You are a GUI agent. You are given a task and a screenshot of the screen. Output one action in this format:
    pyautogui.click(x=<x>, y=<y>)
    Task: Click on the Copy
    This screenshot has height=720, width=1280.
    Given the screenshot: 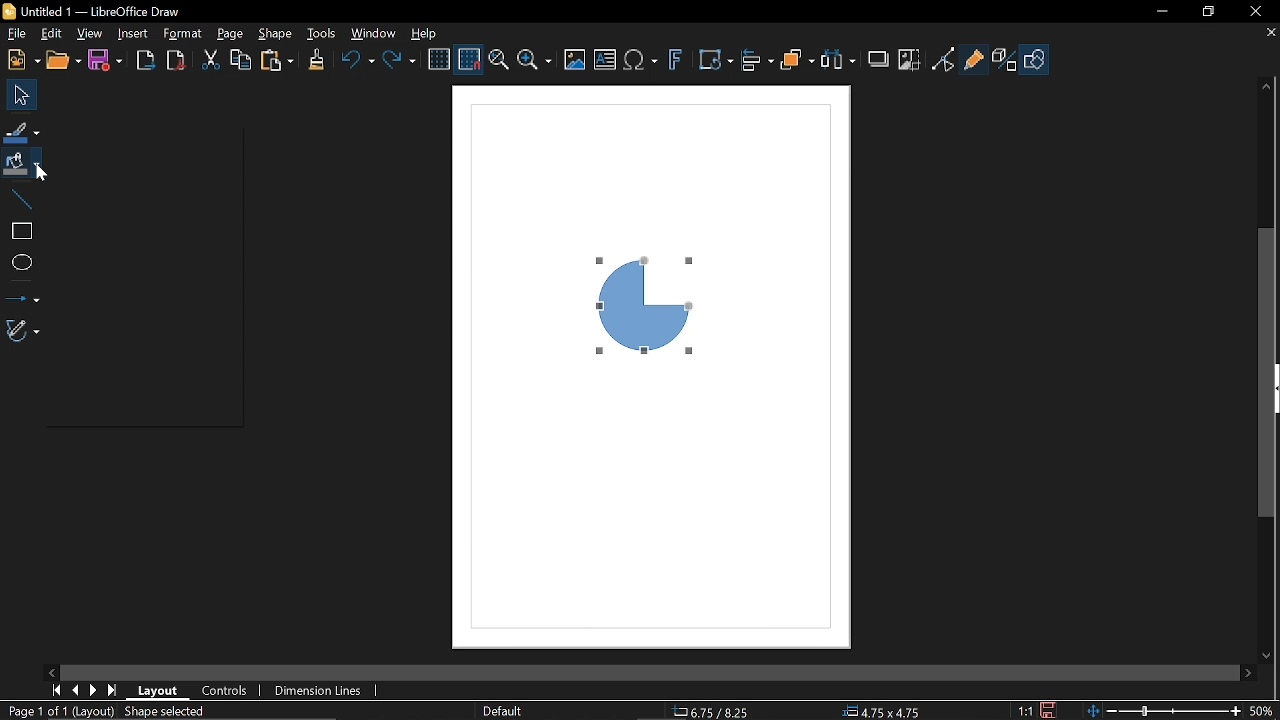 What is the action you would take?
    pyautogui.click(x=241, y=61)
    